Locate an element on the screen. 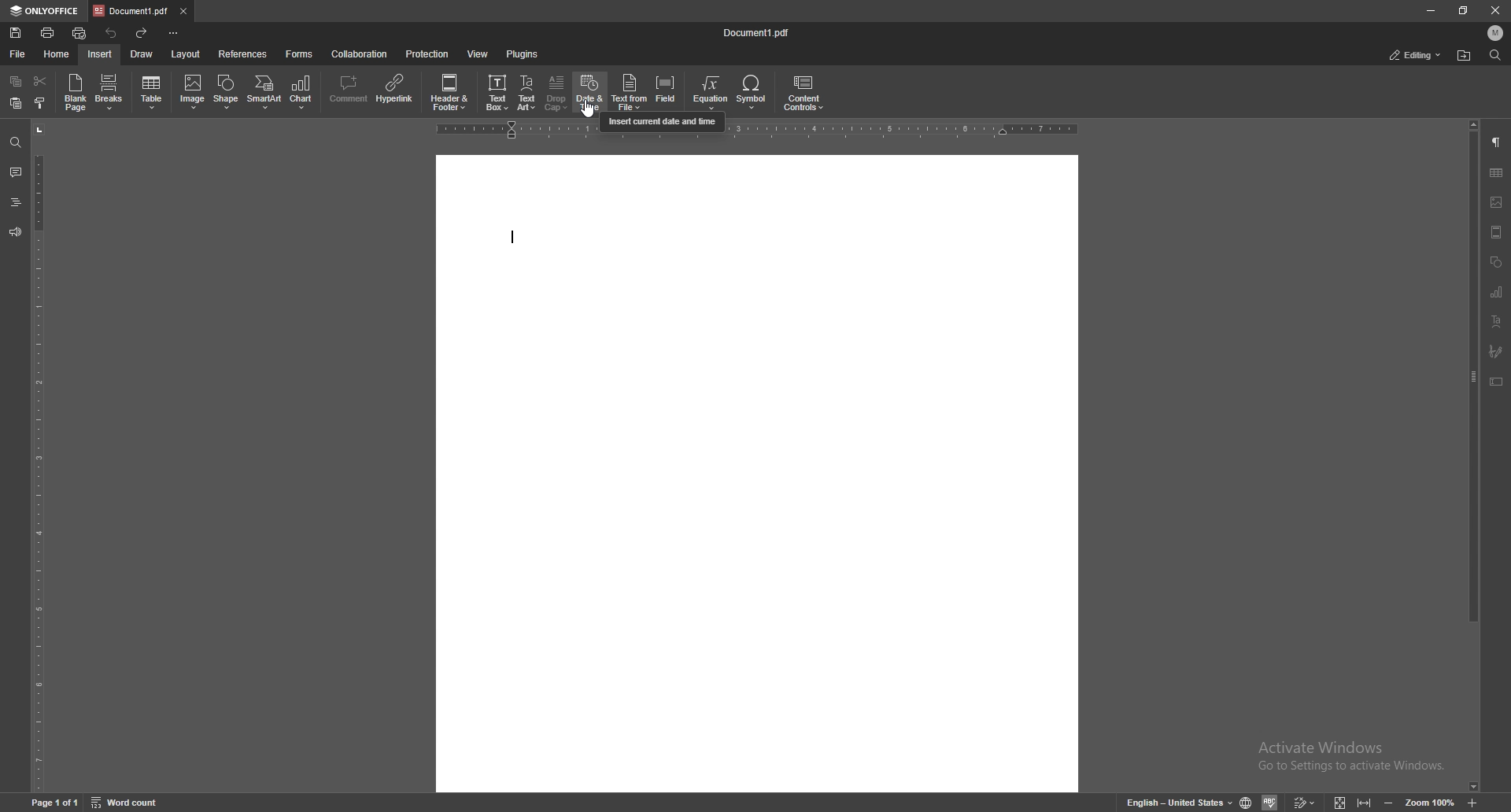 This screenshot has width=1511, height=812. close tab is located at coordinates (183, 11).